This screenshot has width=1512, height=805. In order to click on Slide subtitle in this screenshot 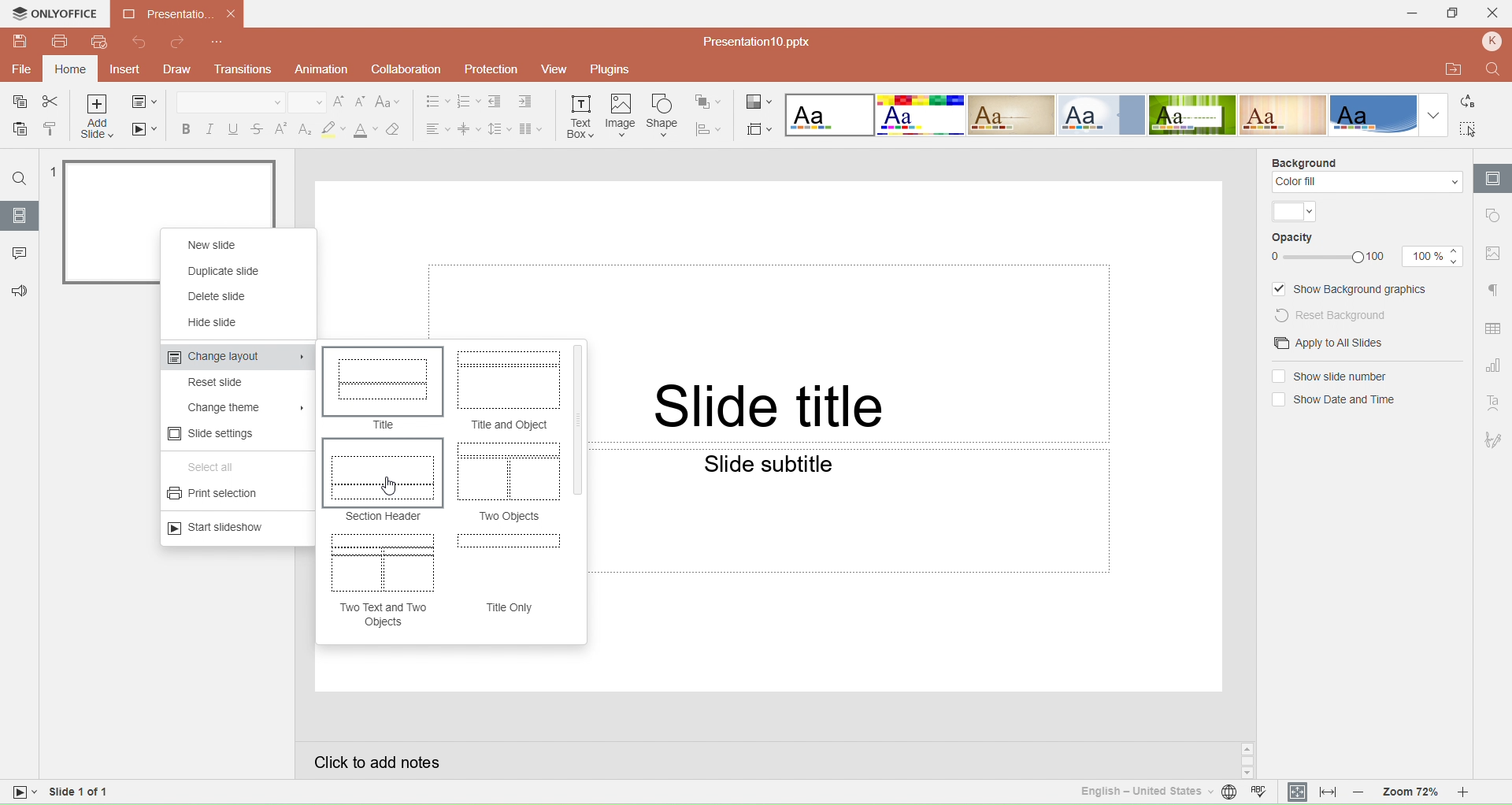, I will do `click(812, 466)`.